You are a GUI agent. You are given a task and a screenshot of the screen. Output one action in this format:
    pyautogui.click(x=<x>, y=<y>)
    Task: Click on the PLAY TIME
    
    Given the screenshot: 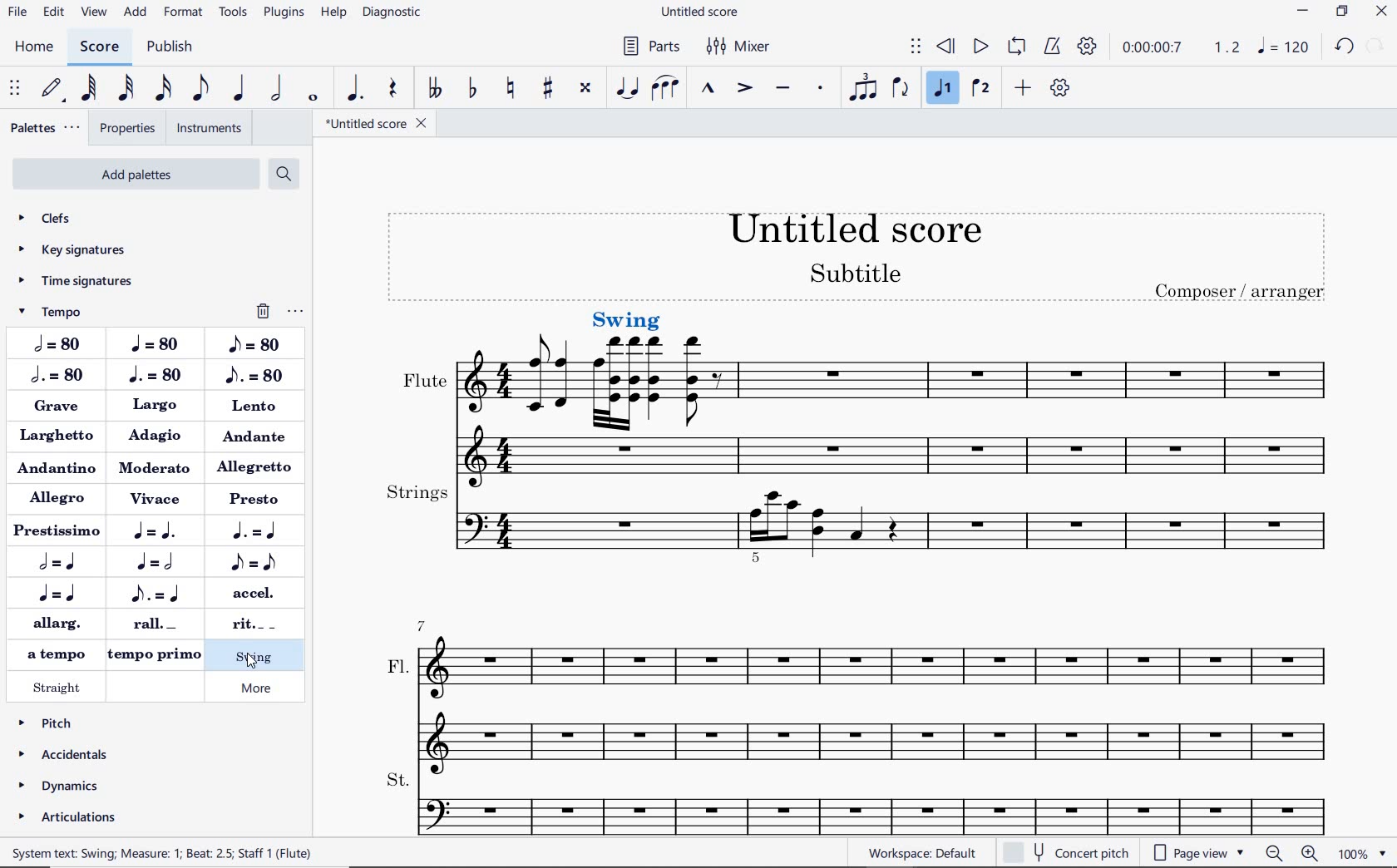 What is the action you would take?
    pyautogui.click(x=1180, y=47)
    